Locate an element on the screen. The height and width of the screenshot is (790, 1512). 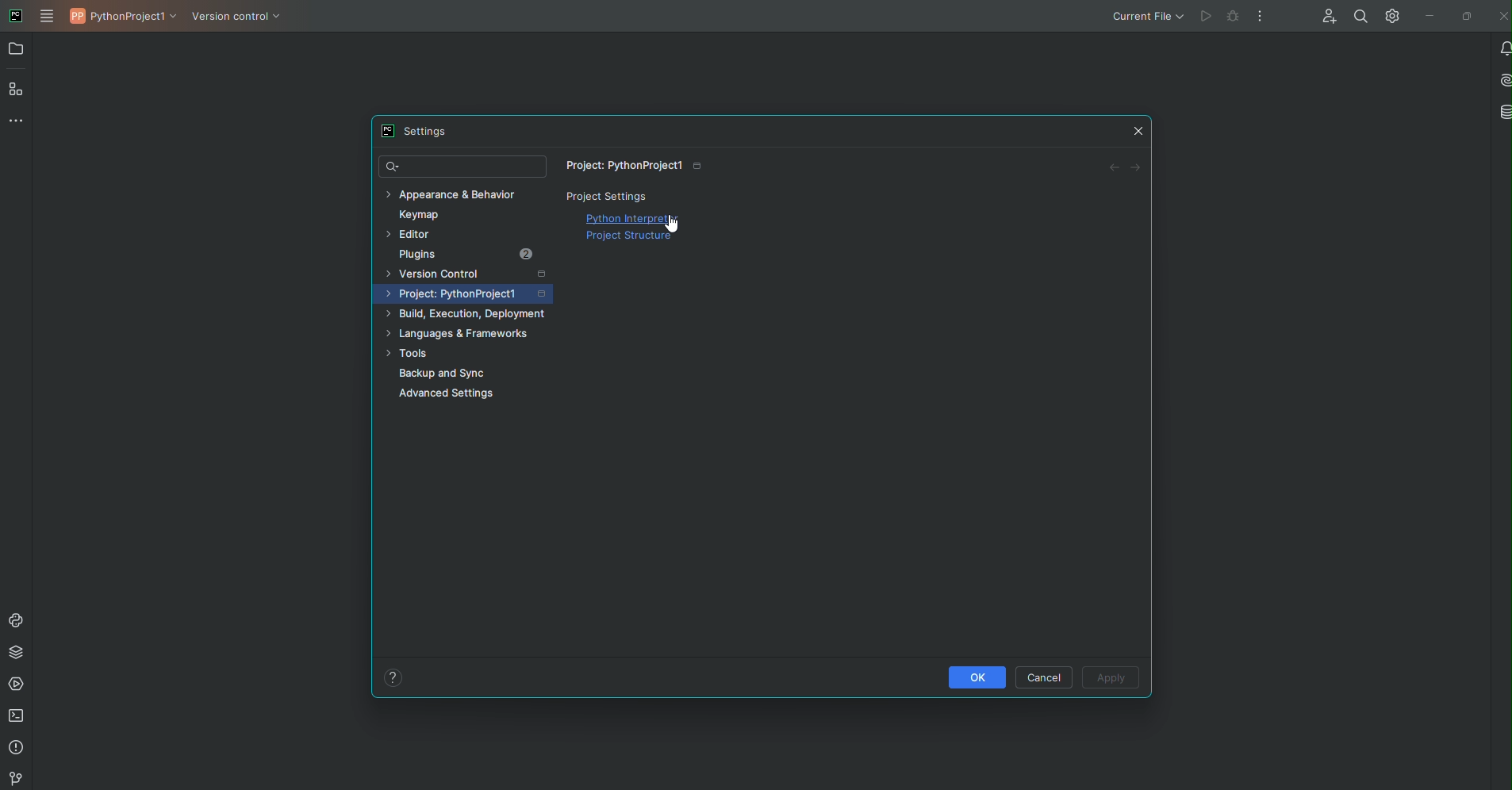
Close is located at coordinates (1501, 15).